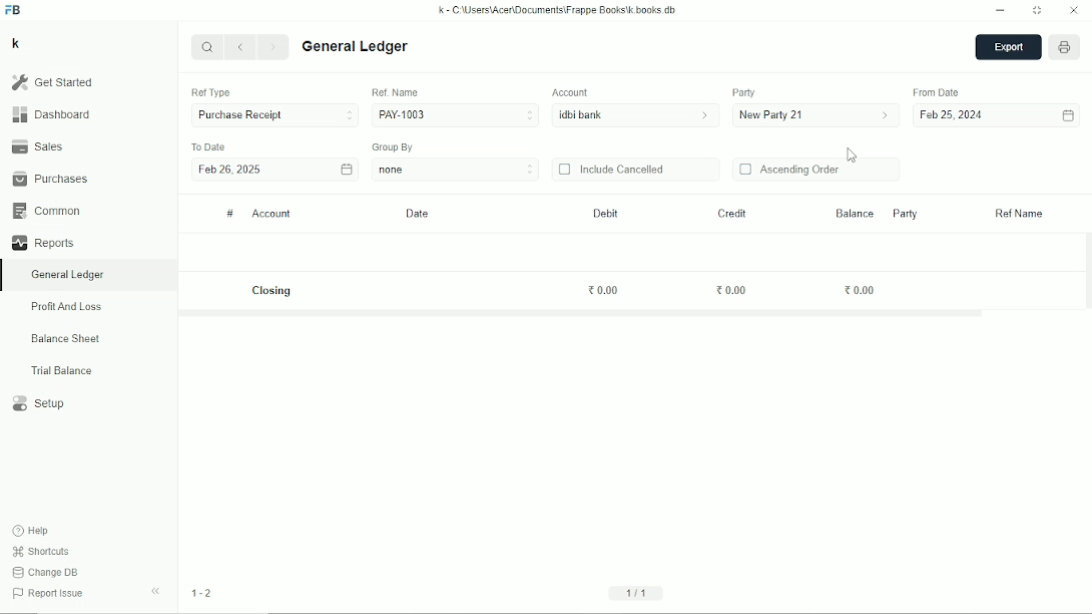 Image resolution: width=1092 pixels, height=614 pixels. What do you see at coordinates (1065, 48) in the screenshot?
I see `Open report print view` at bounding box center [1065, 48].